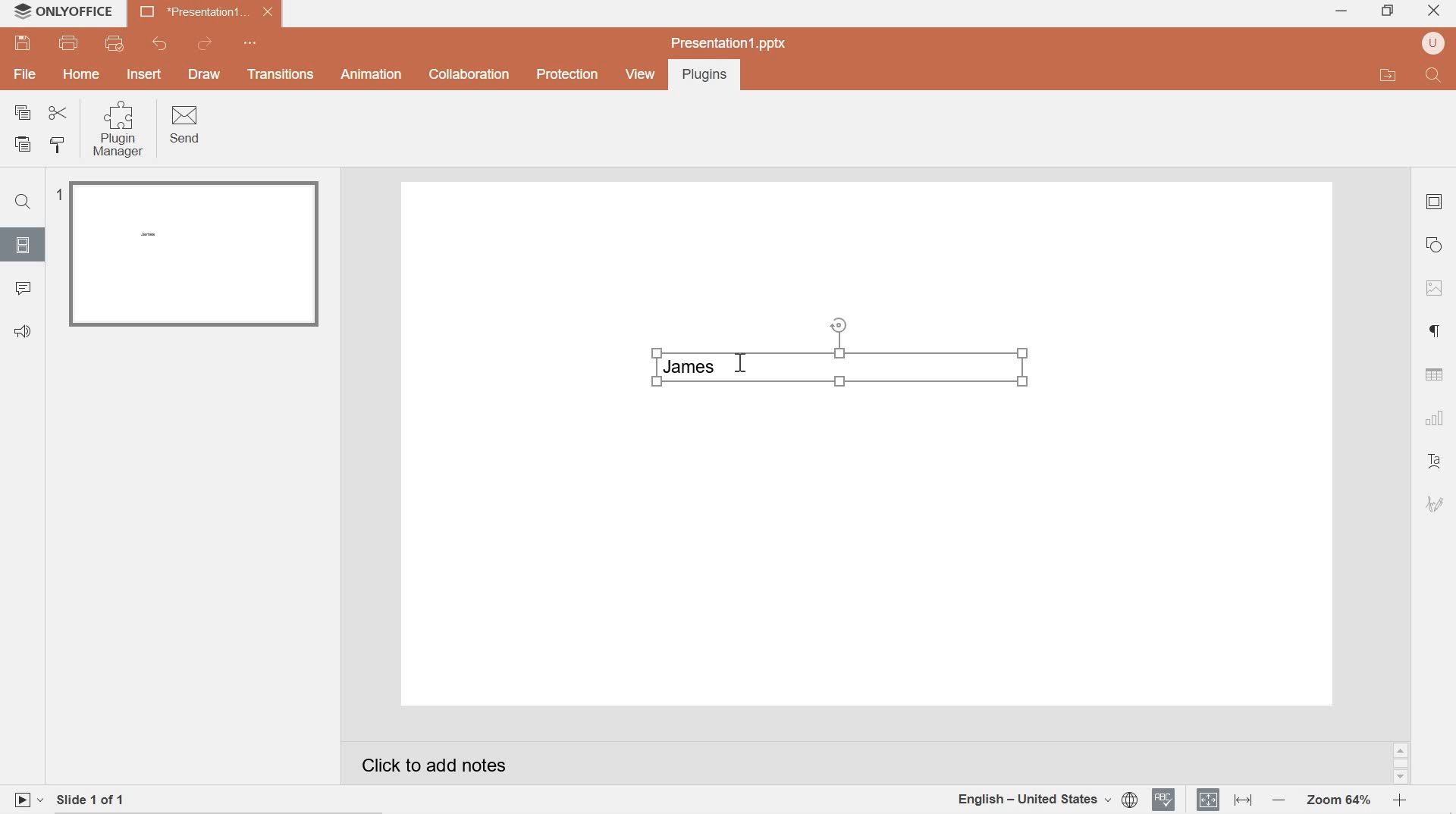 The width and height of the screenshot is (1456, 814). I want to click on Plugins, so click(701, 76).